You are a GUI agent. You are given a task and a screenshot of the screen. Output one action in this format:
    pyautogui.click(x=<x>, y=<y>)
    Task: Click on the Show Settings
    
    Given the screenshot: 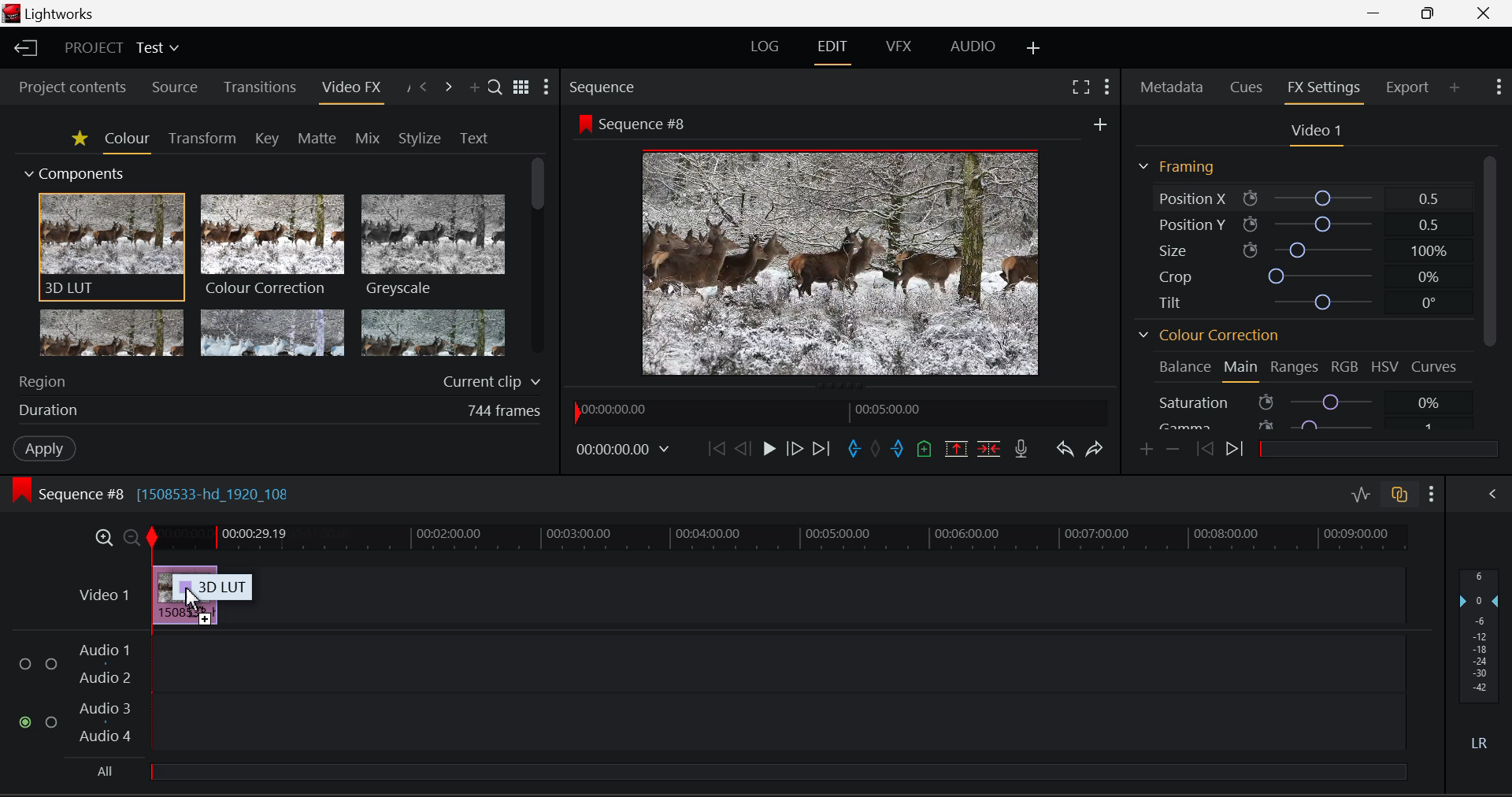 What is the action you would take?
    pyautogui.click(x=1497, y=87)
    